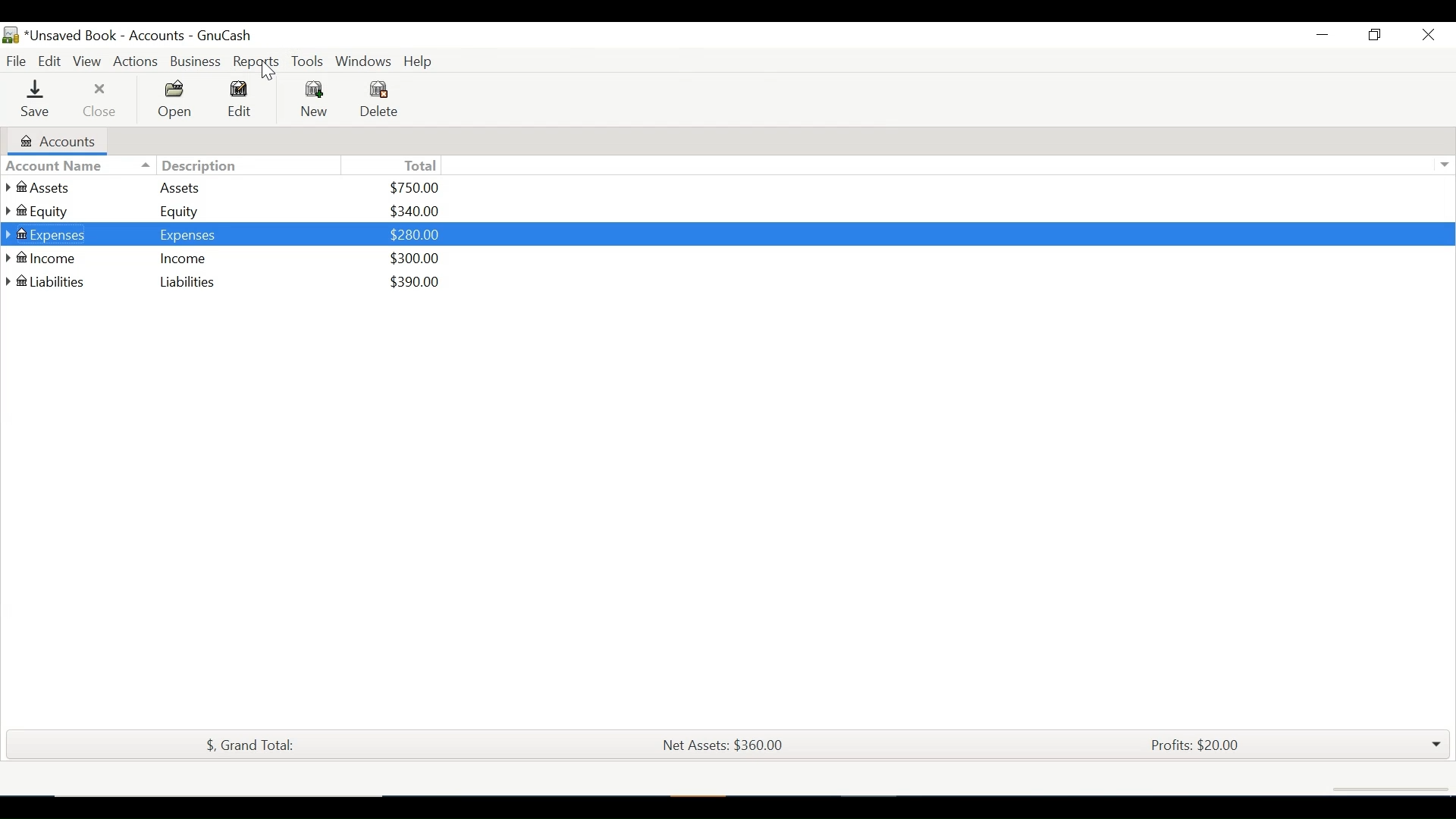 Image resolution: width=1456 pixels, height=819 pixels. What do you see at coordinates (237, 234) in the screenshot?
I see `® Expenses Expenses $280.00` at bounding box center [237, 234].